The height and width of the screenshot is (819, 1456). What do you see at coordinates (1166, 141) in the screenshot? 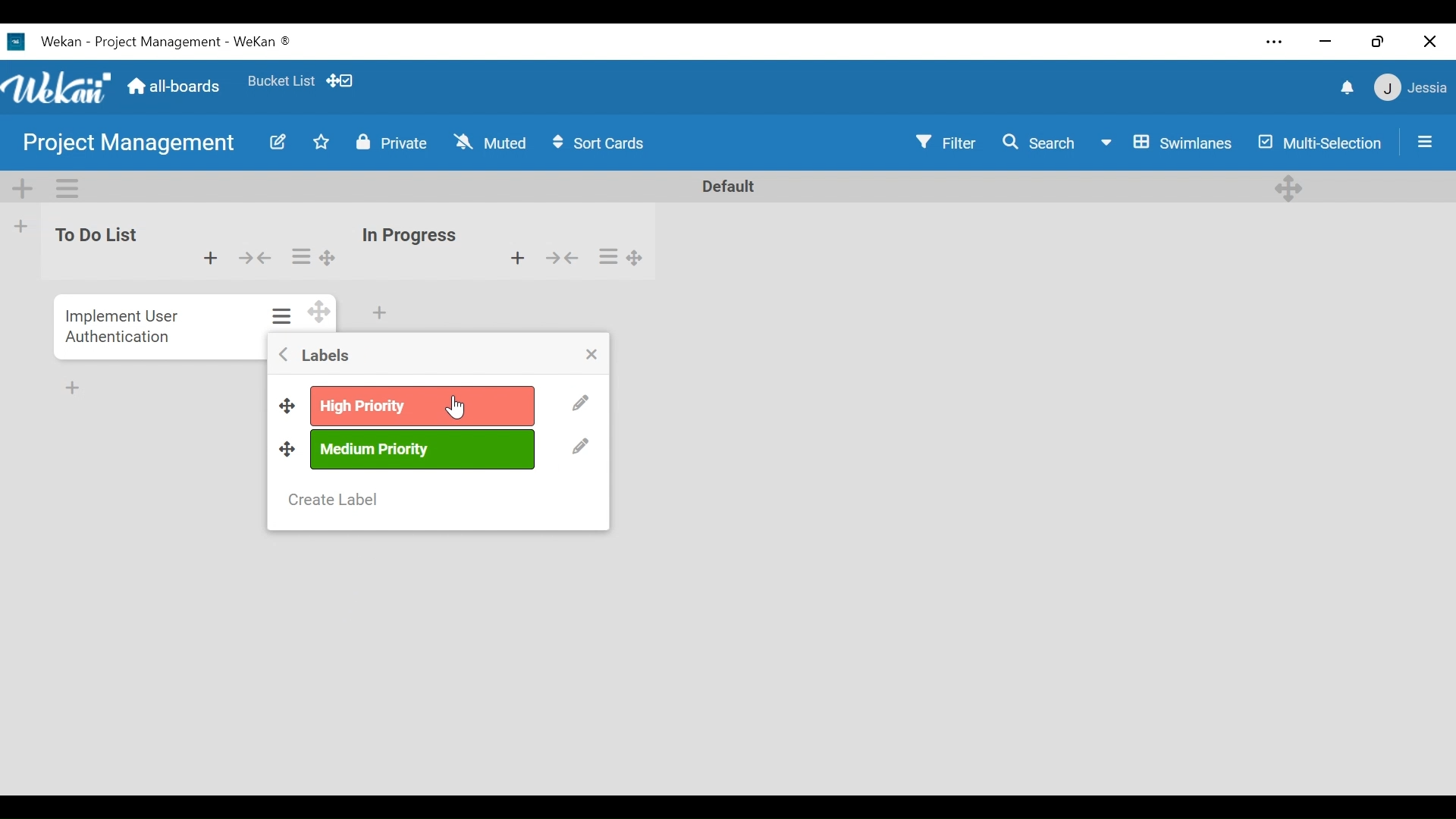
I see `Swimlanes` at bounding box center [1166, 141].